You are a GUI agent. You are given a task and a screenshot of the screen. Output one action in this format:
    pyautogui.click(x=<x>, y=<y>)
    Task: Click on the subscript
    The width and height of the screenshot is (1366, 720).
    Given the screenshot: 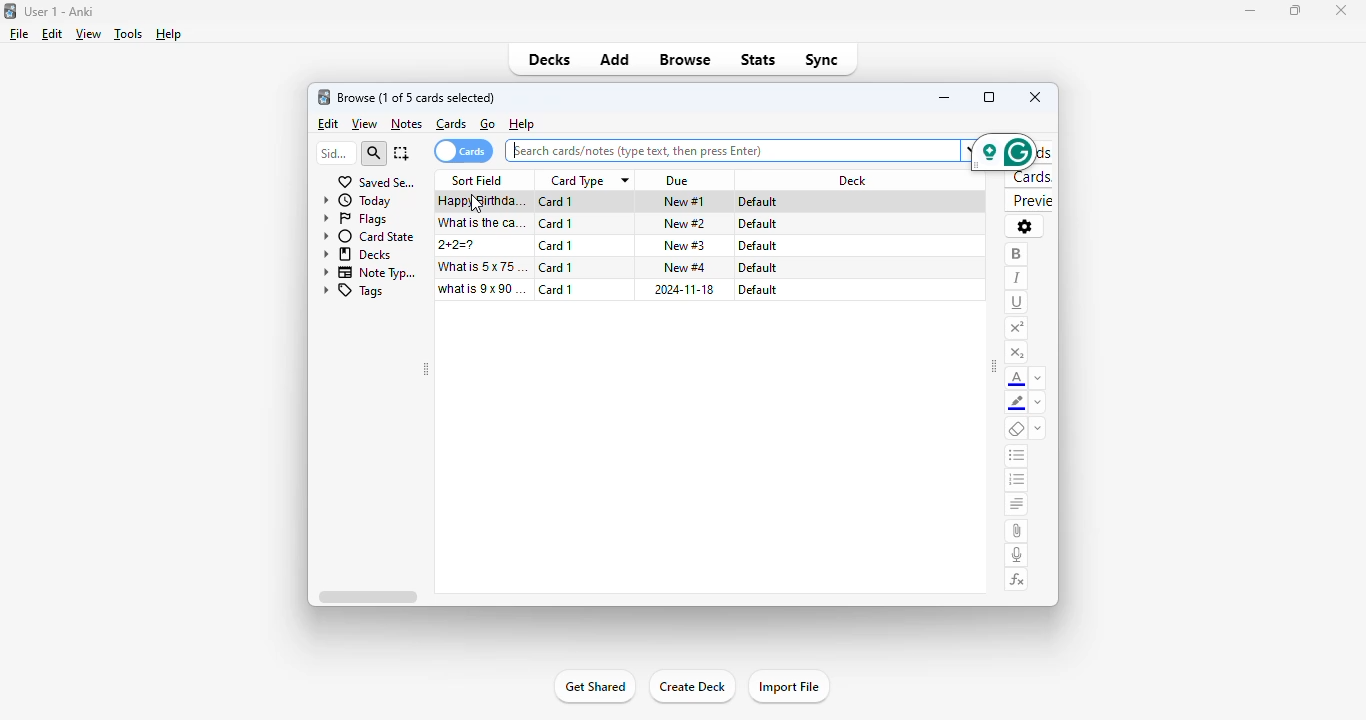 What is the action you would take?
    pyautogui.click(x=1016, y=353)
    